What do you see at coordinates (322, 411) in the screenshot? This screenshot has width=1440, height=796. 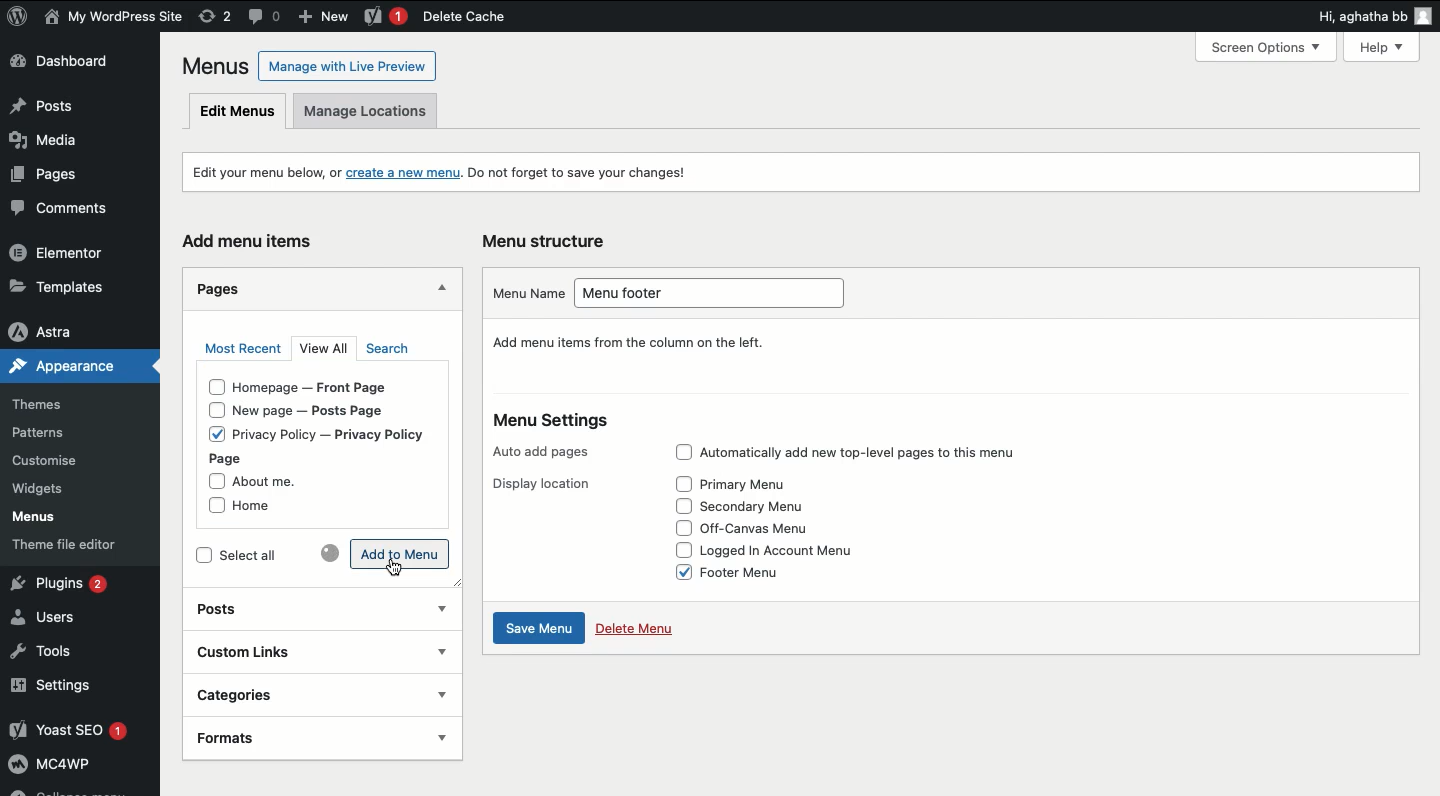 I see `New page ~ Post Page` at bounding box center [322, 411].